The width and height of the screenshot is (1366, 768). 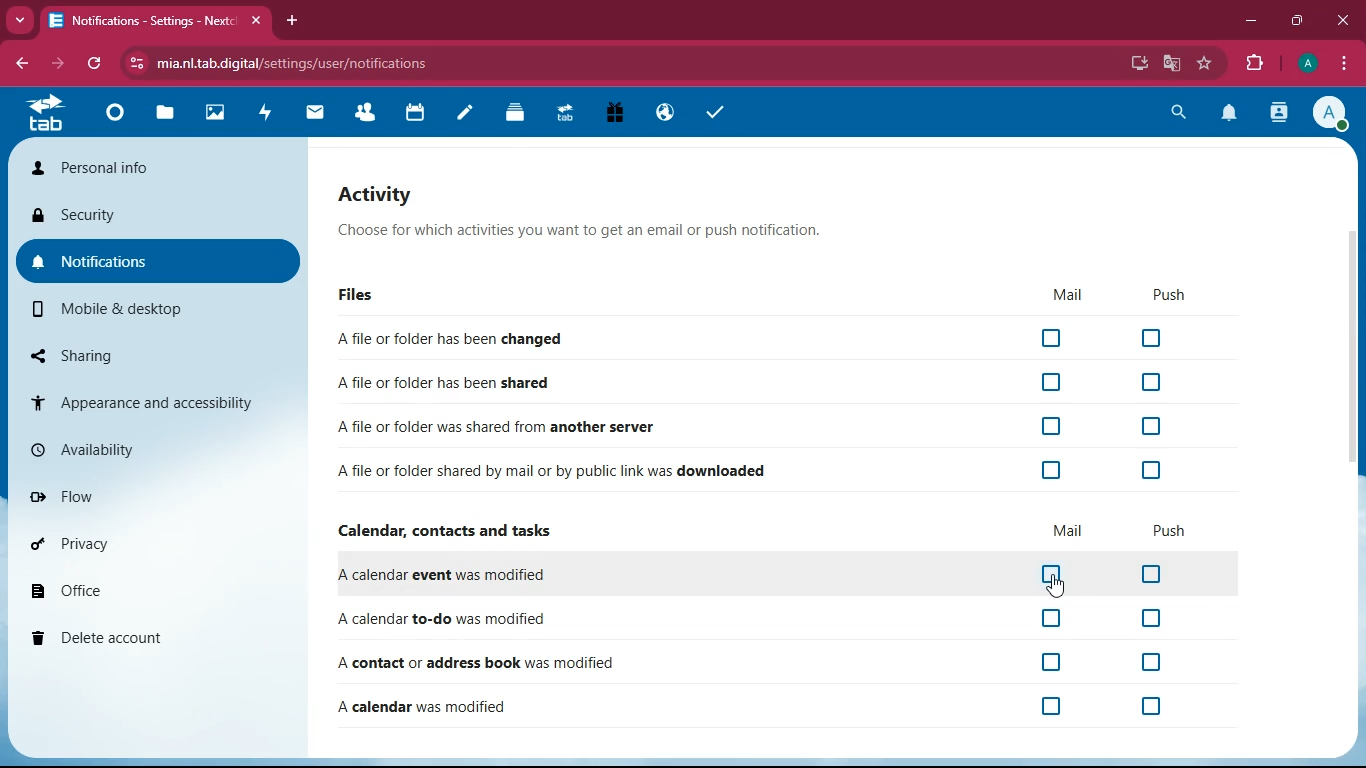 What do you see at coordinates (616, 231) in the screenshot?
I see `Choose for which activities you want to get an email or push notification.` at bounding box center [616, 231].